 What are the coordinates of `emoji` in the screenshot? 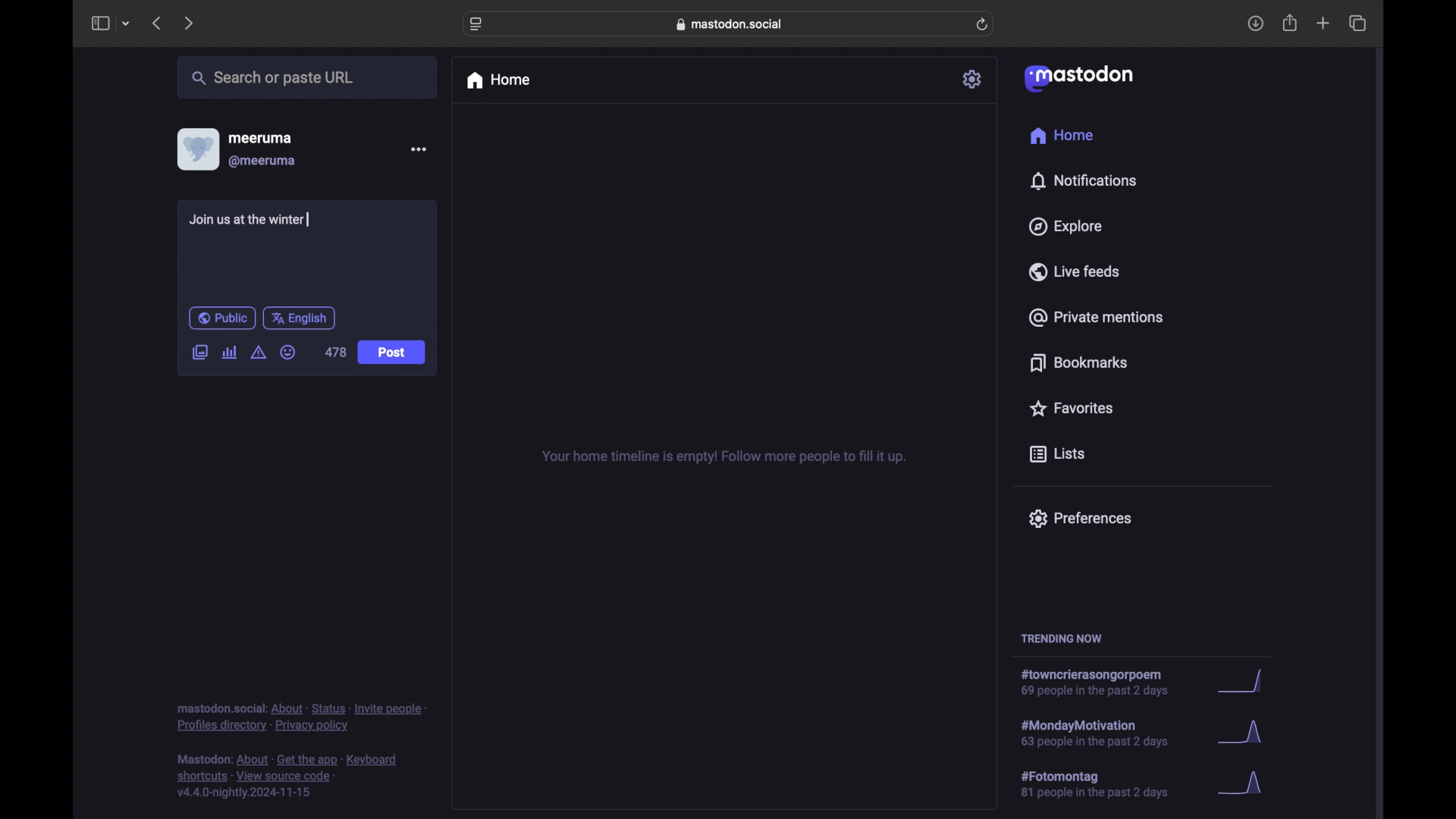 It's located at (288, 353).